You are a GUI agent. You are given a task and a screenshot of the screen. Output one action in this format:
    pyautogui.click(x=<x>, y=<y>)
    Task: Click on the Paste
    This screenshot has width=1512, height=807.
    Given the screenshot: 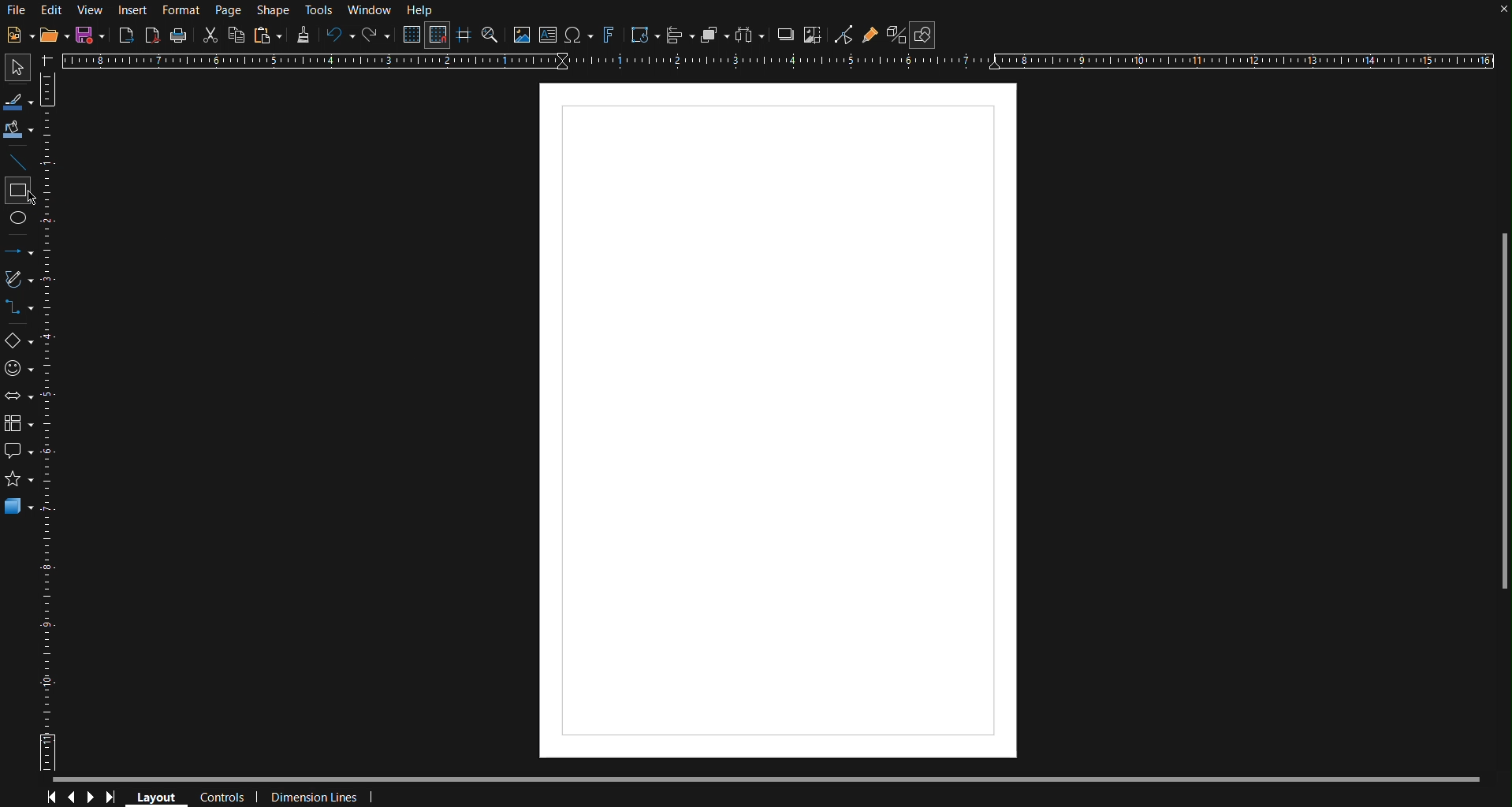 What is the action you would take?
    pyautogui.click(x=268, y=35)
    